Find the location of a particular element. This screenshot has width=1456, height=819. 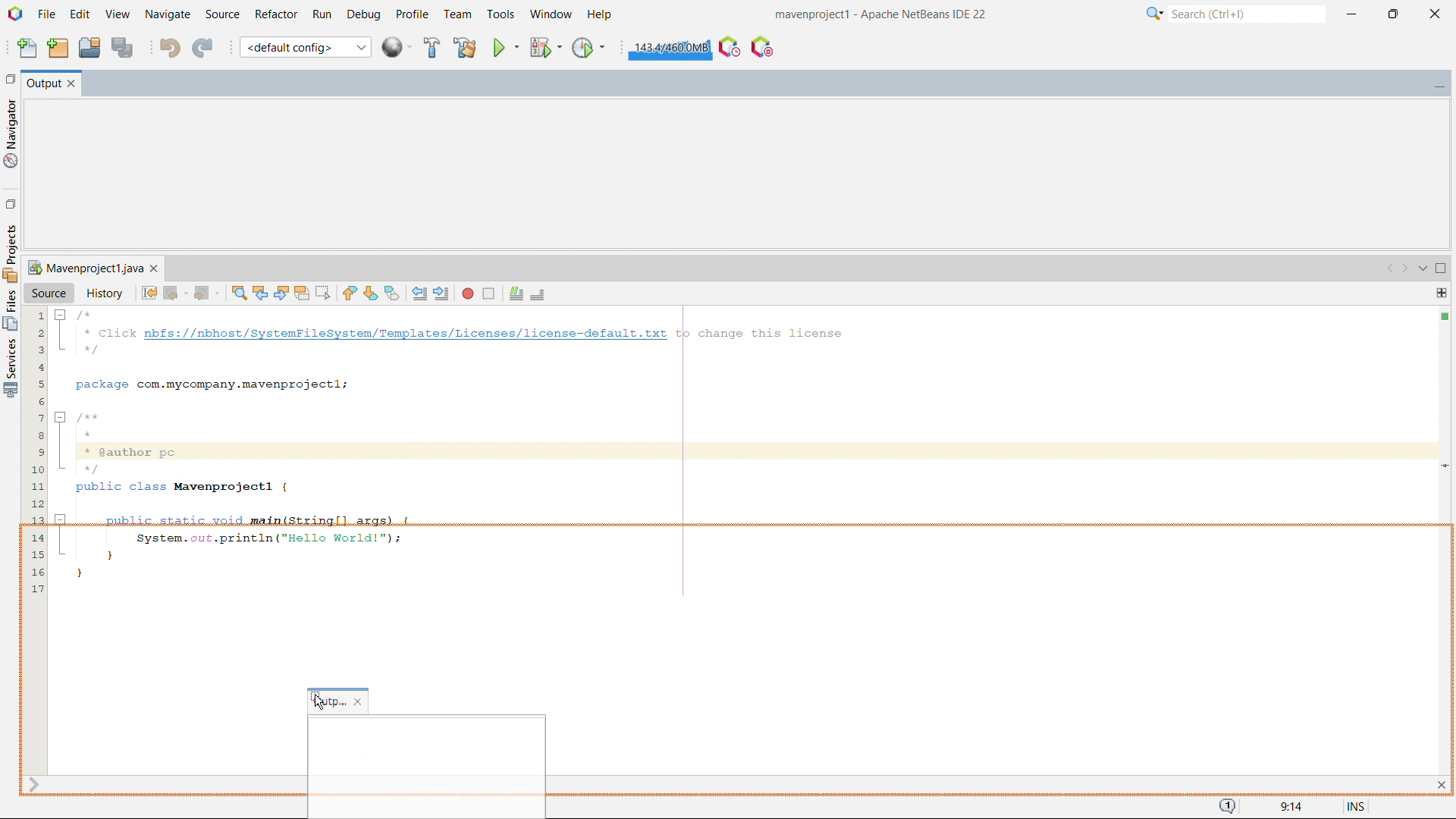

shift line right is located at coordinates (443, 293).